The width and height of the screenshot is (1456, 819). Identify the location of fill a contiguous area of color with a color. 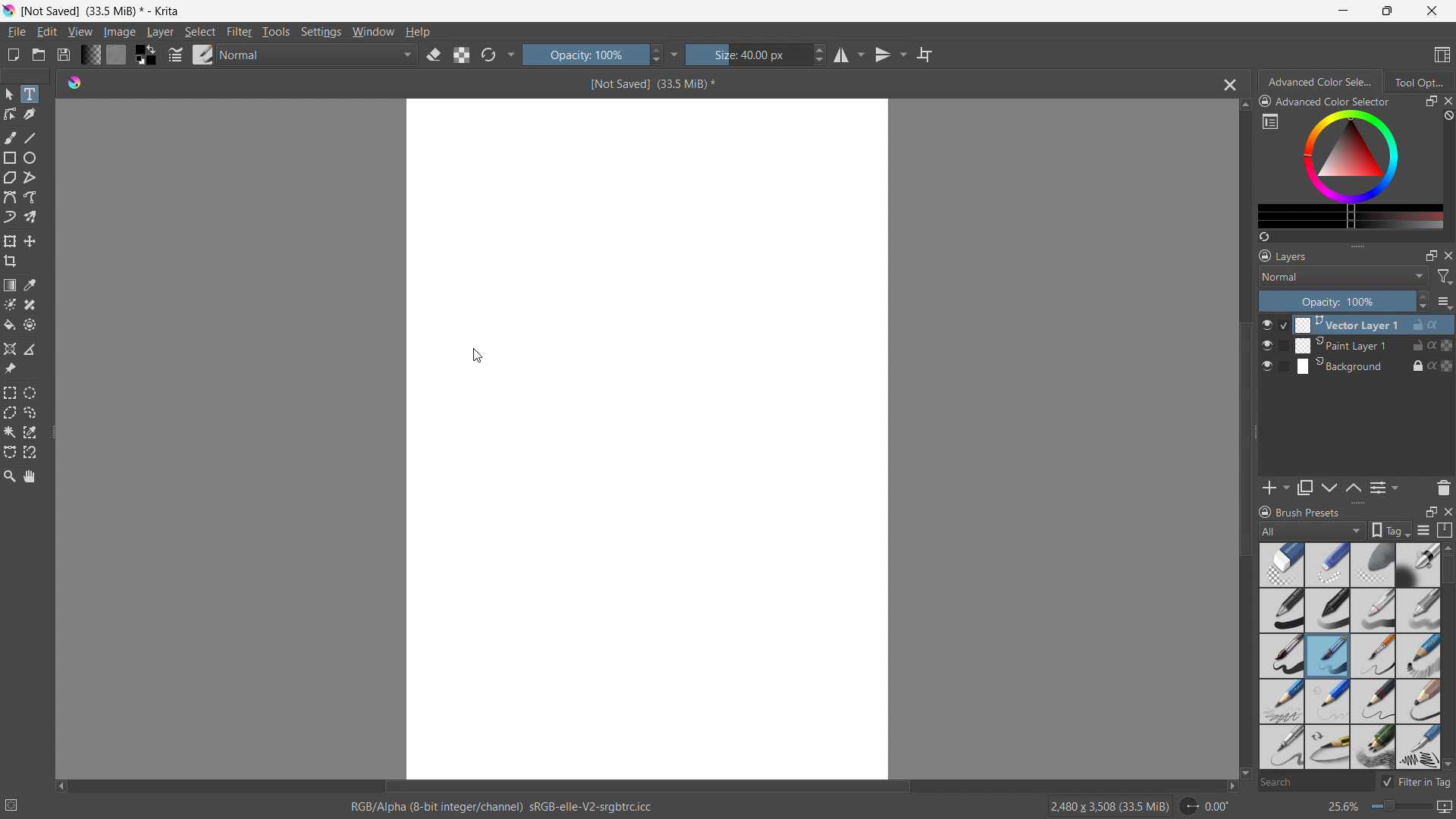
(9, 325).